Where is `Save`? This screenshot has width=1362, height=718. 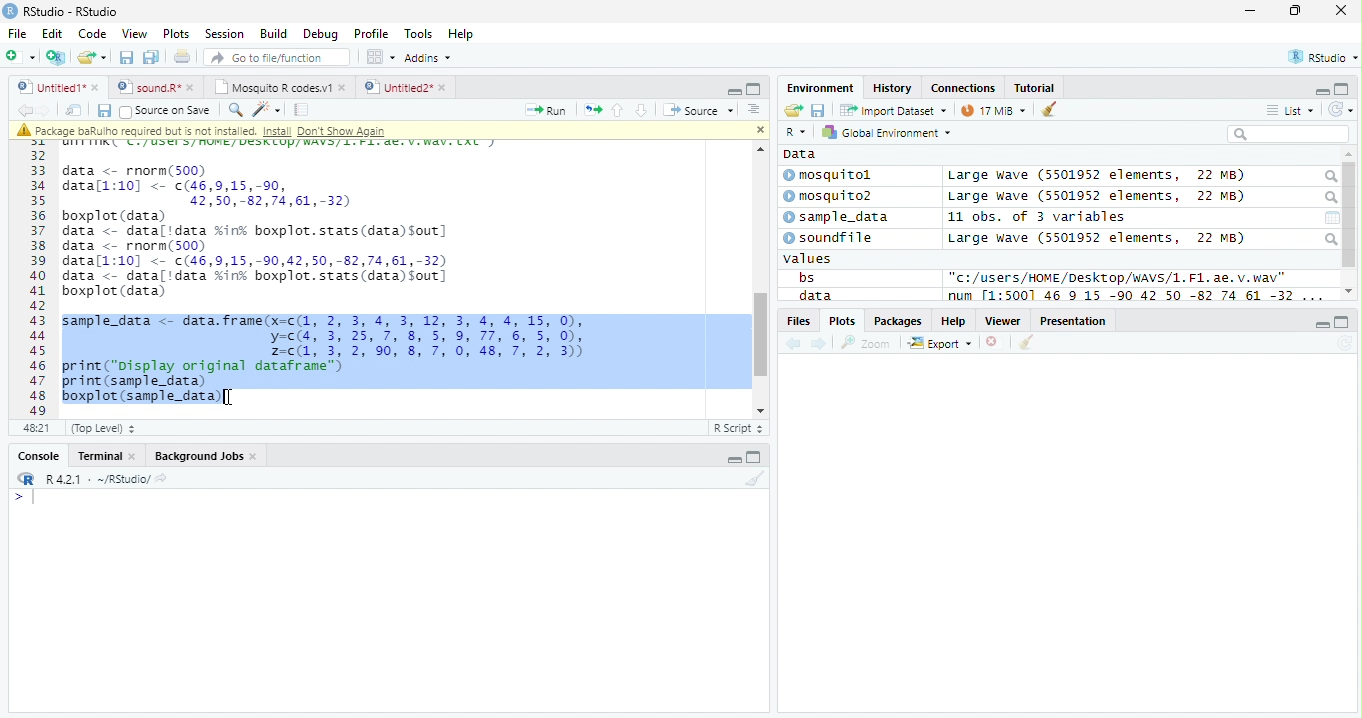 Save is located at coordinates (103, 111).